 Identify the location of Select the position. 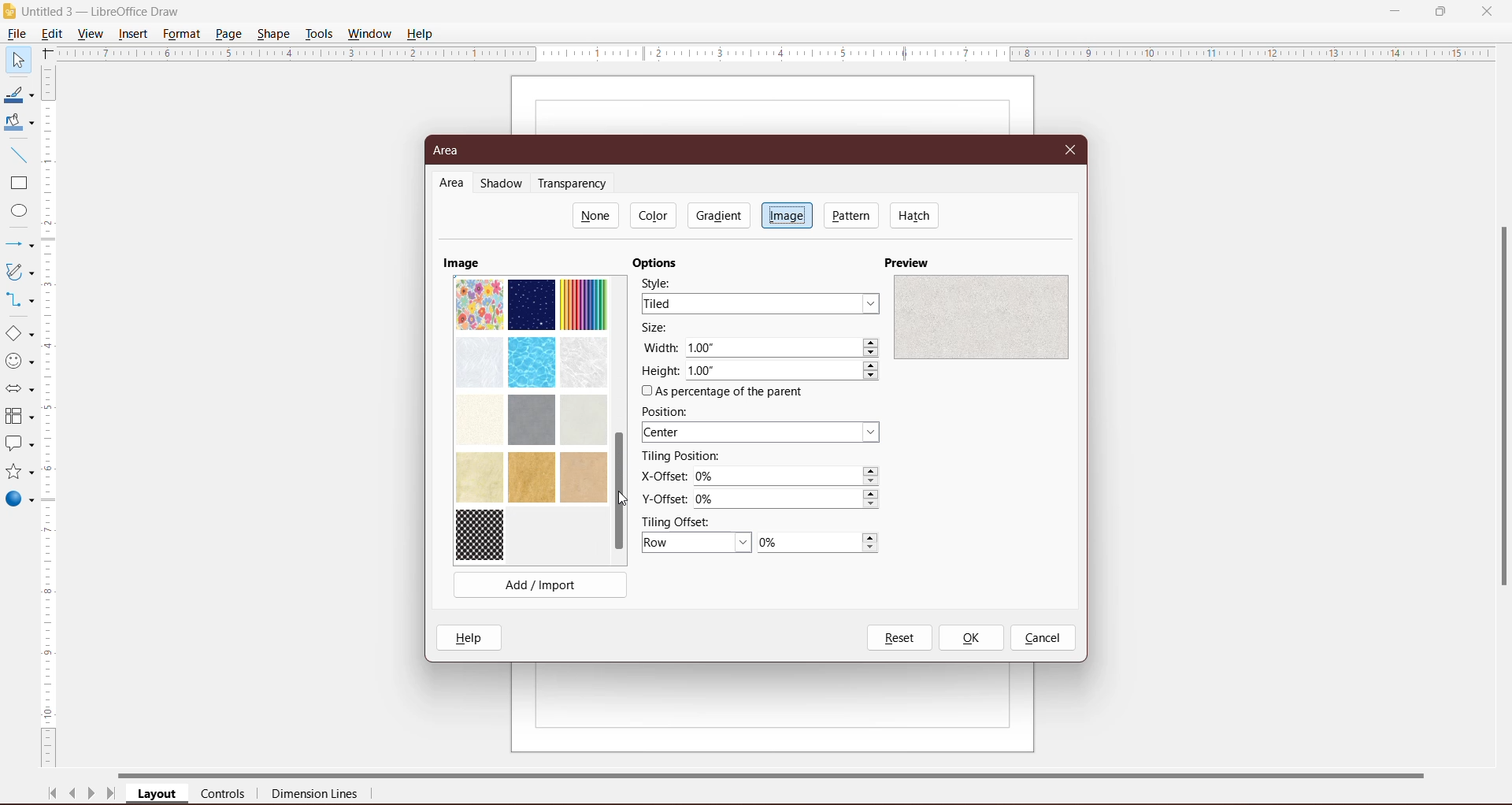
(763, 433).